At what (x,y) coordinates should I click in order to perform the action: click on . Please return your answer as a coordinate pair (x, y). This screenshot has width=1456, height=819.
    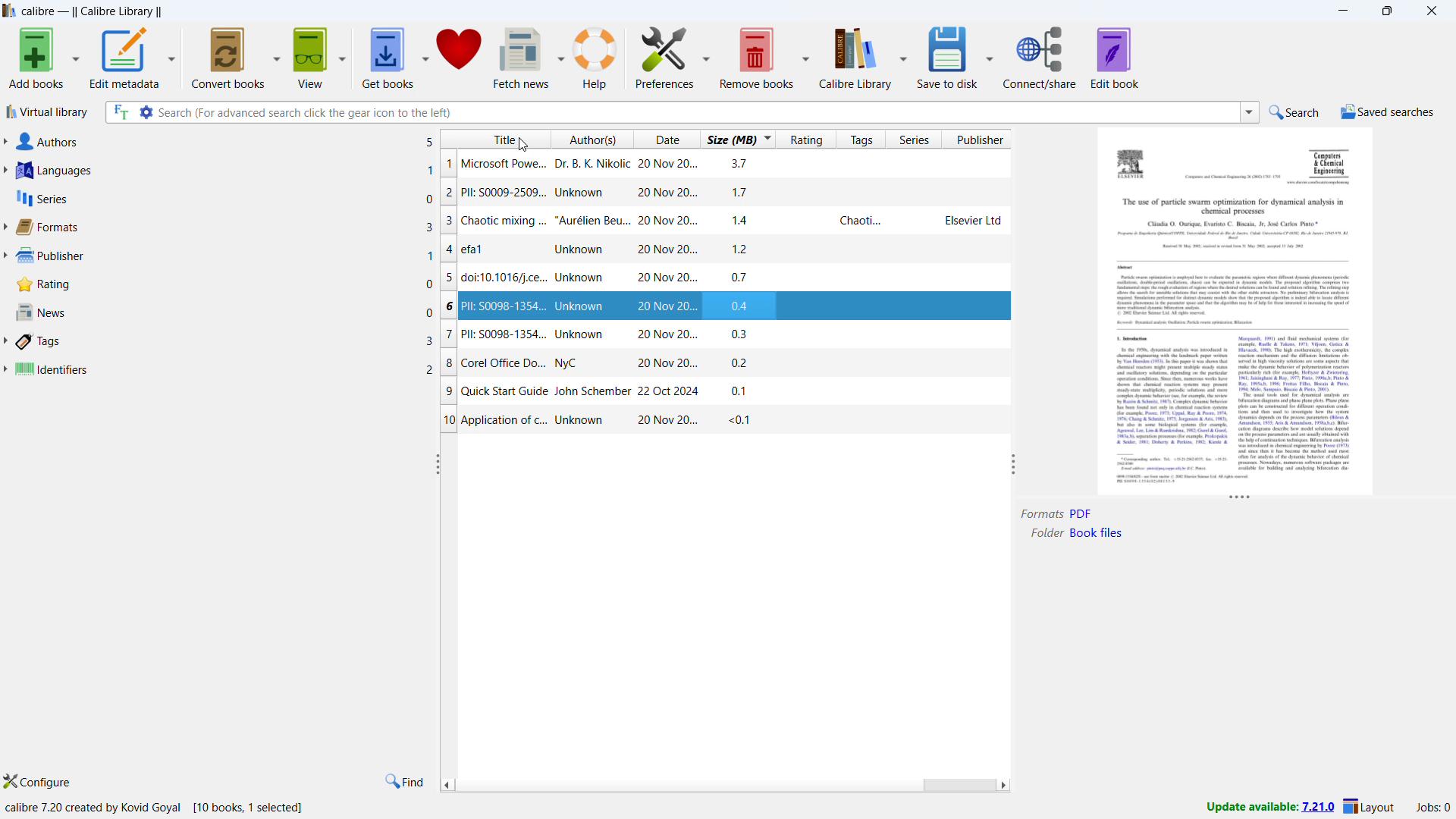
    Looking at the image, I should click on (1235, 177).